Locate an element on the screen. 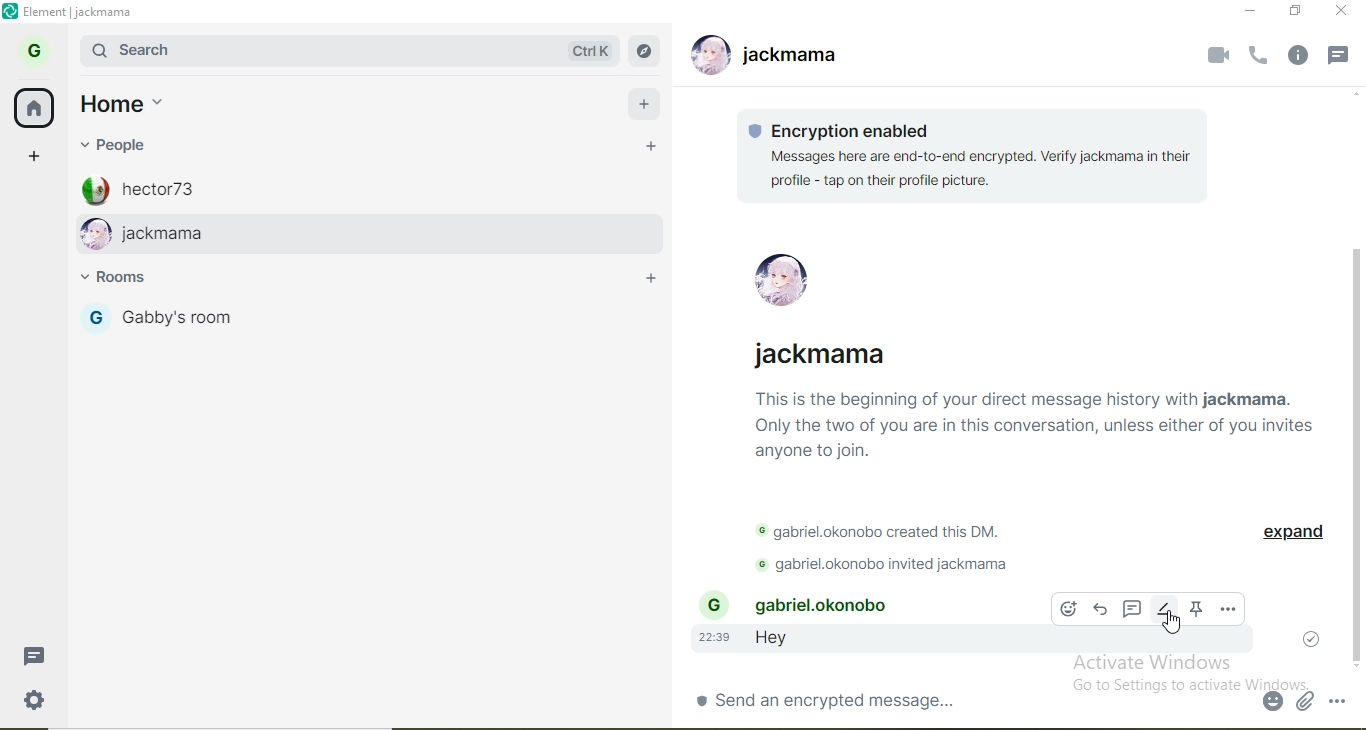 This screenshot has height=730, width=1366. home is located at coordinates (121, 108).